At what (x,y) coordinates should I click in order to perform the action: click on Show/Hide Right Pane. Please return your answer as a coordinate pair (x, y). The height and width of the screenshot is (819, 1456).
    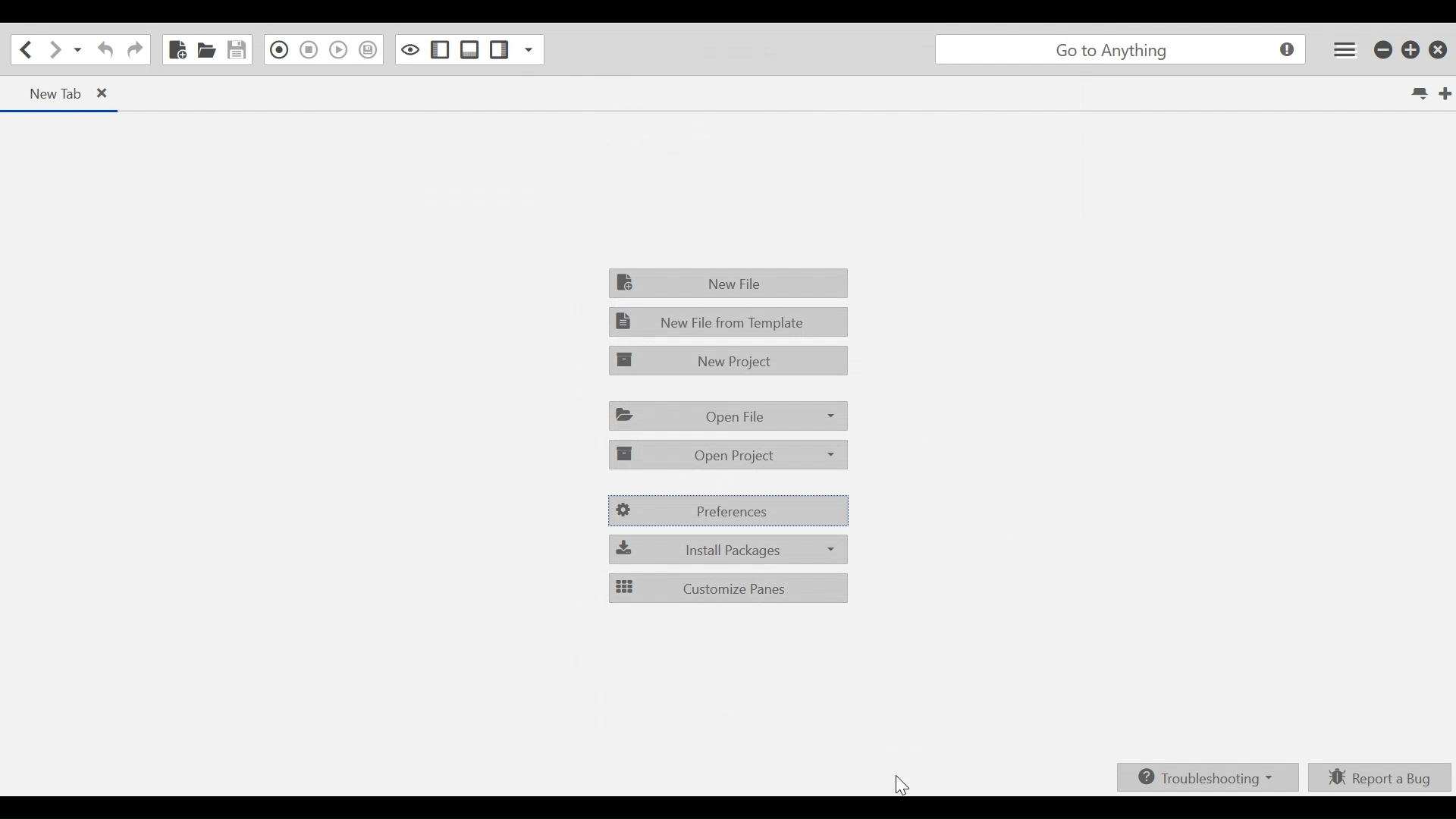
    Looking at the image, I should click on (498, 50).